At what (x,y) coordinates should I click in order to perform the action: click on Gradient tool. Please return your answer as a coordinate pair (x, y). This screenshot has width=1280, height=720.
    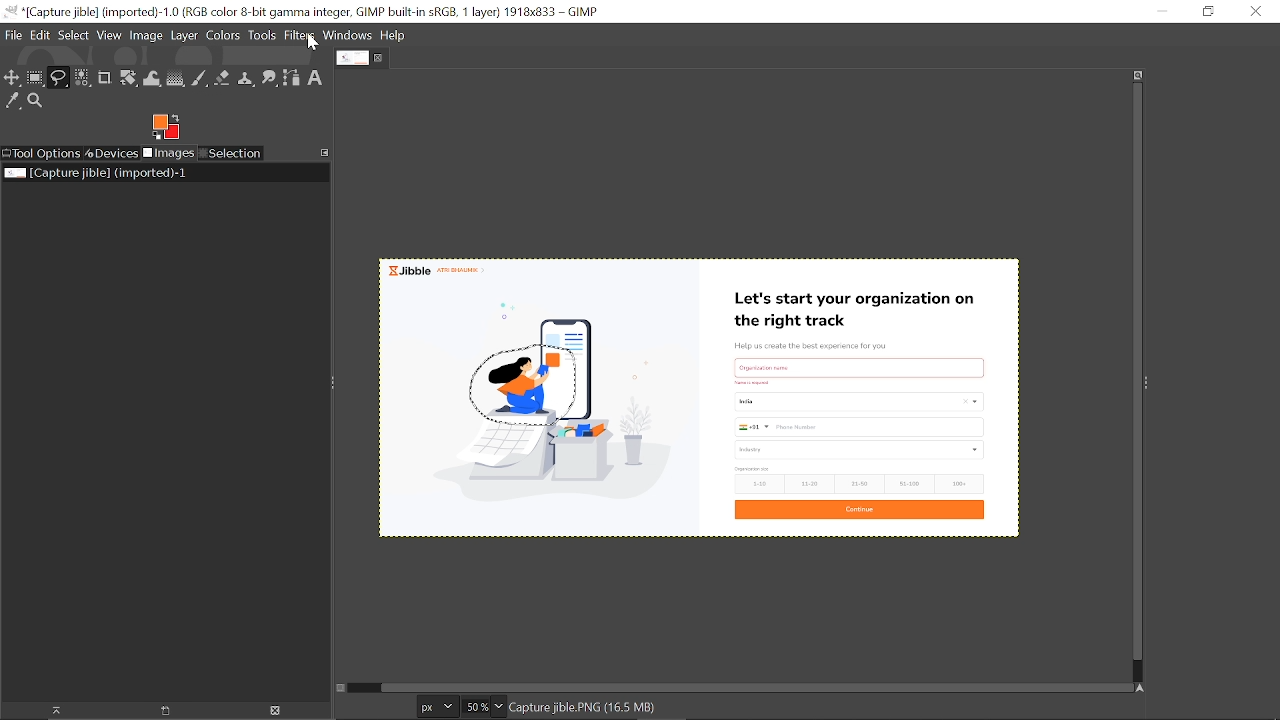
    Looking at the image, I should click on (176, 78).